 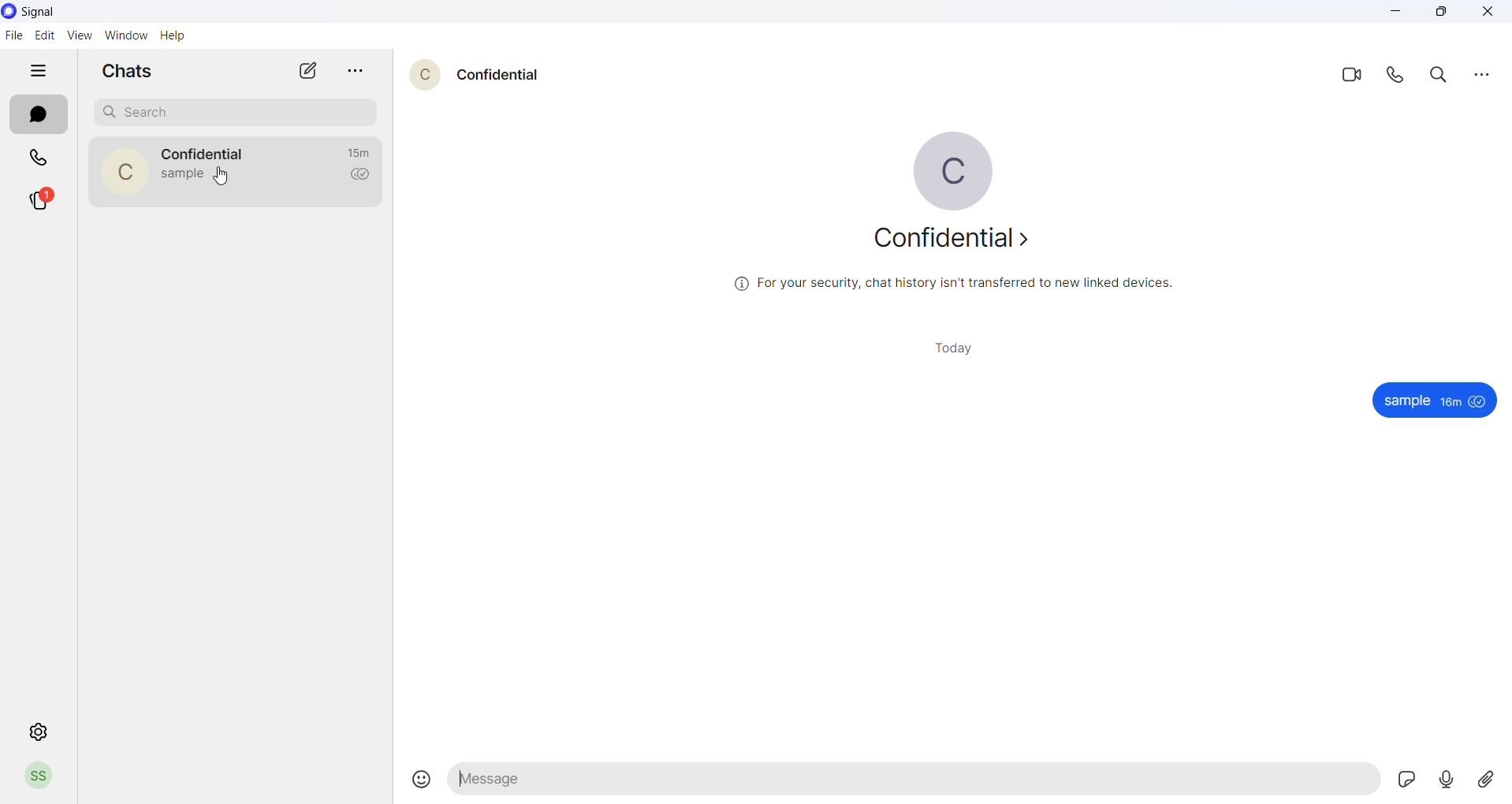 What do you see at coordinates (1406, 777) in the screenshot?
I see `send sticker` at bounding box center [1406, 777].